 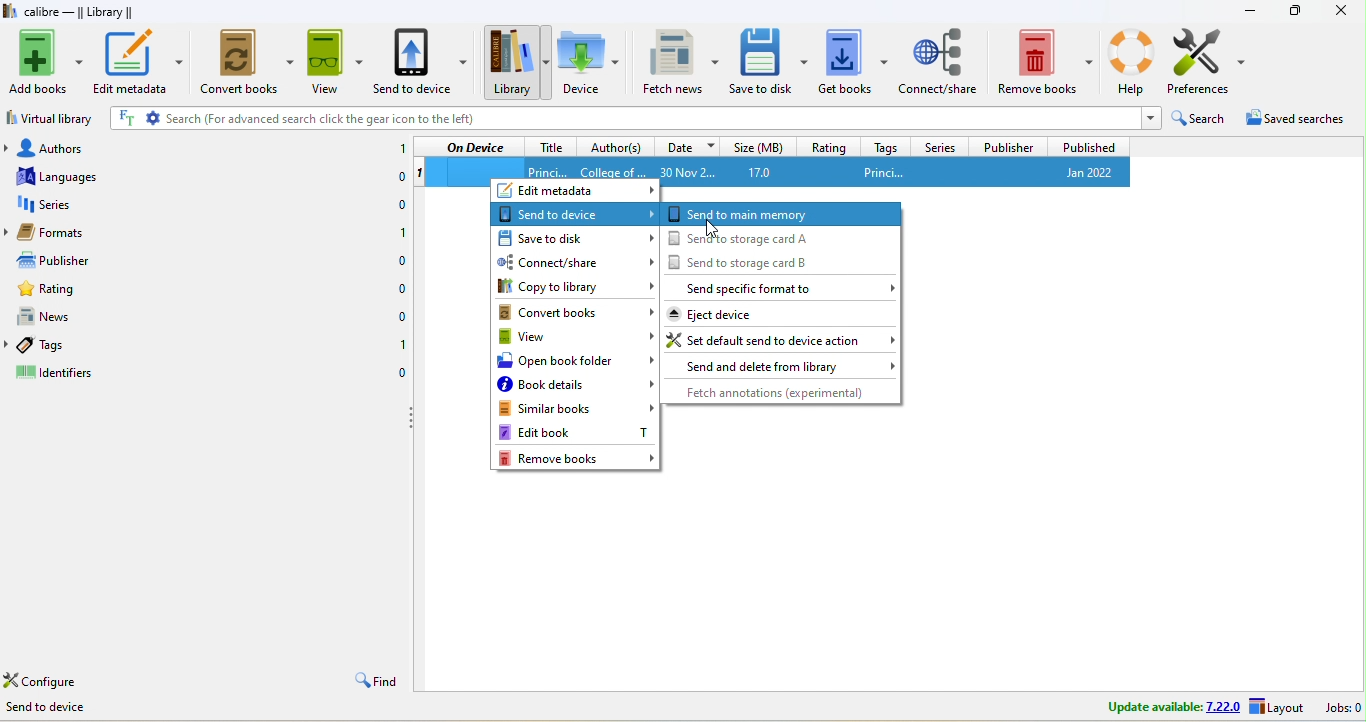 What do you see at coordinates (1209, 62) in the screenshot?
I see `preference` at bounding box center [1209, 62].